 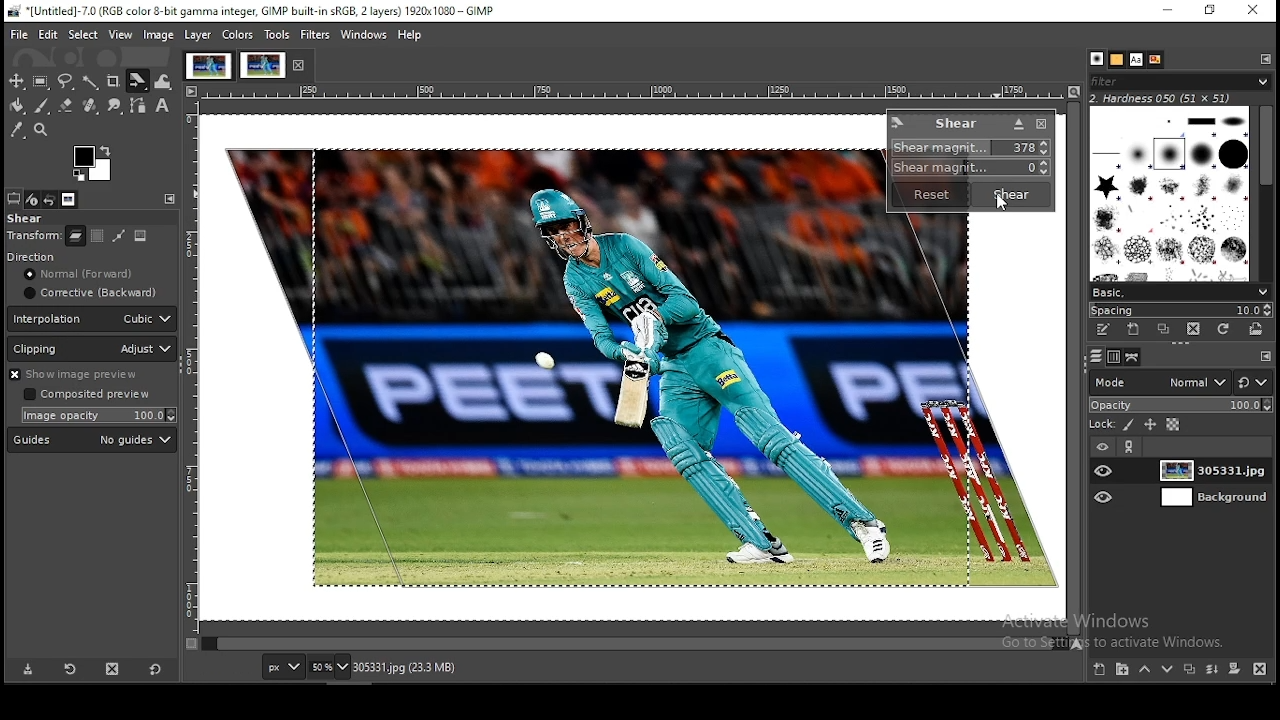 I want to click on transform, so click(x=34, y=237).